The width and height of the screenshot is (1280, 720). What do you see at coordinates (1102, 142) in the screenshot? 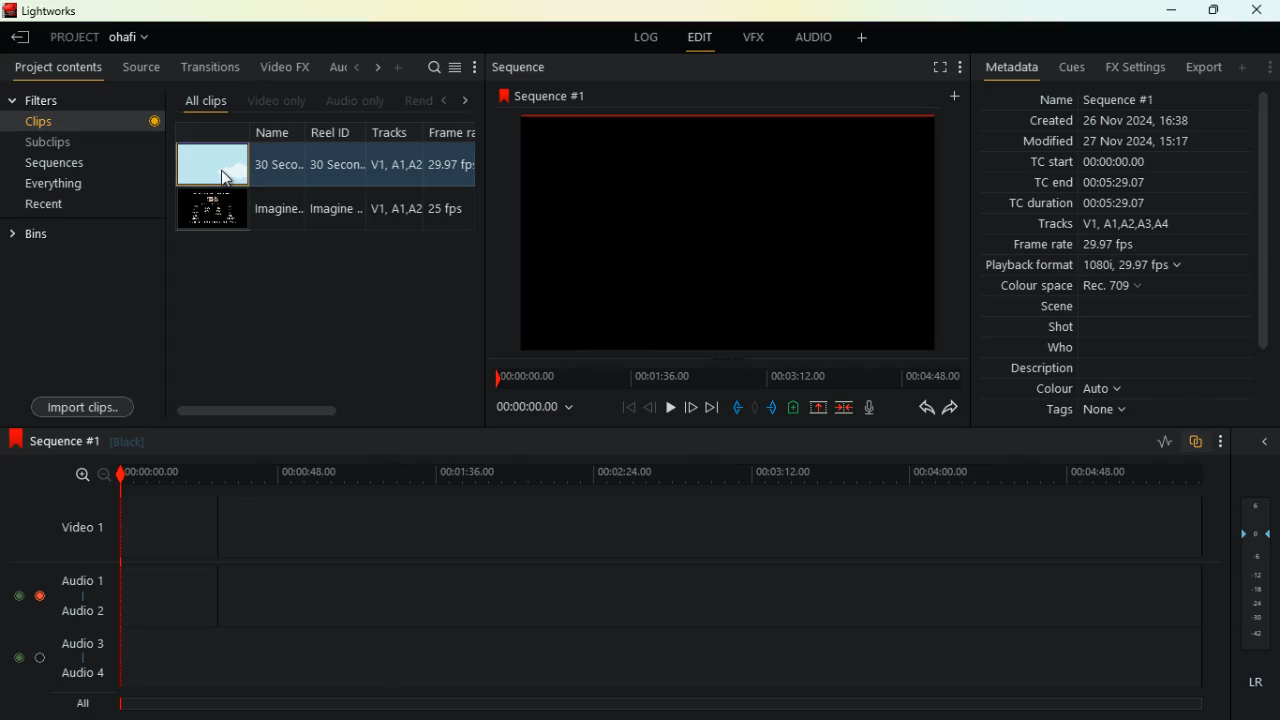
I see `modified` at bounding box center [1102, 142].